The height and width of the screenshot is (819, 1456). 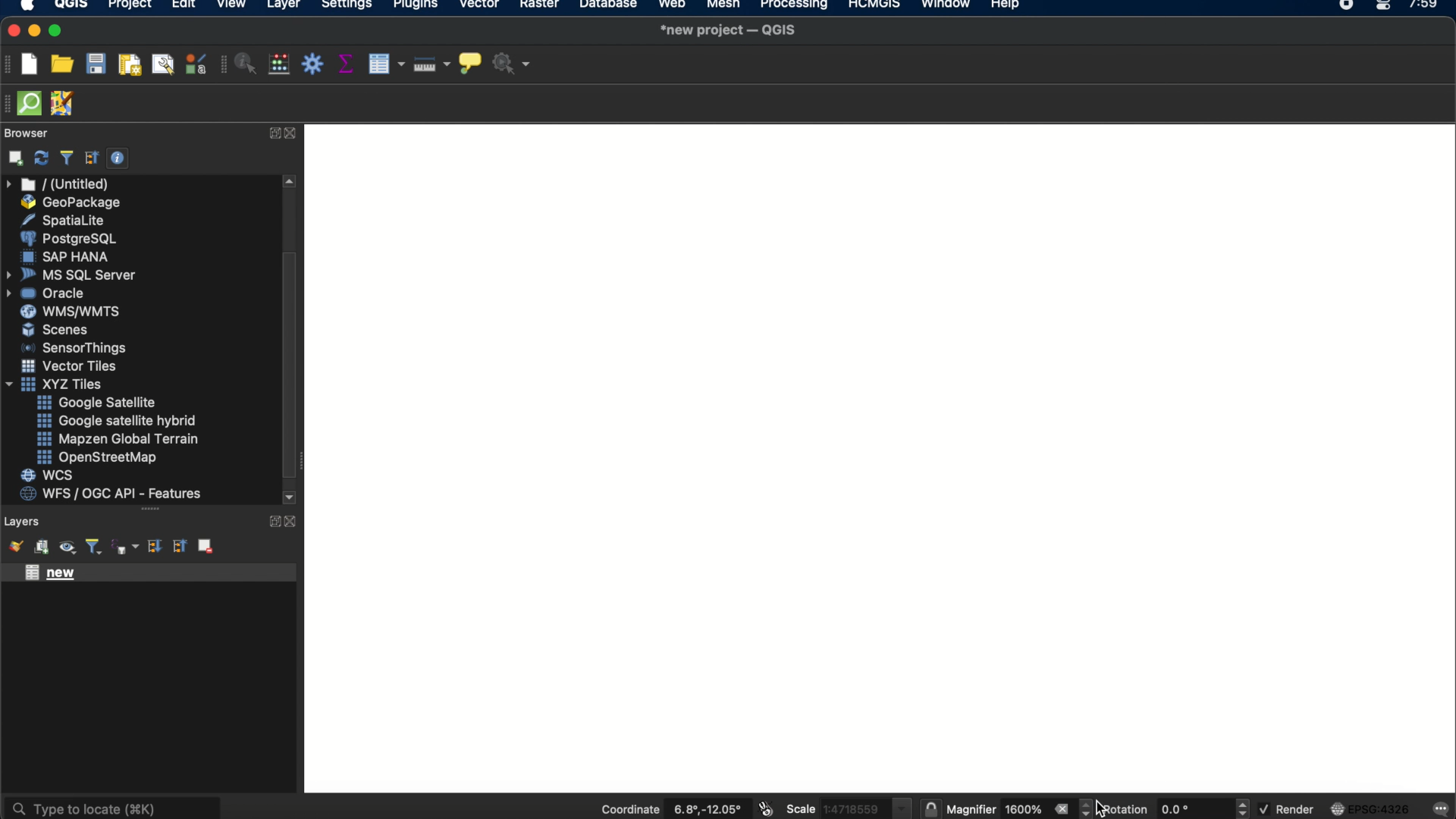 What do you see at coordinates (9, 102) in the screenshot?
I see `hidden toolbar` at bounding box center [9, 102].